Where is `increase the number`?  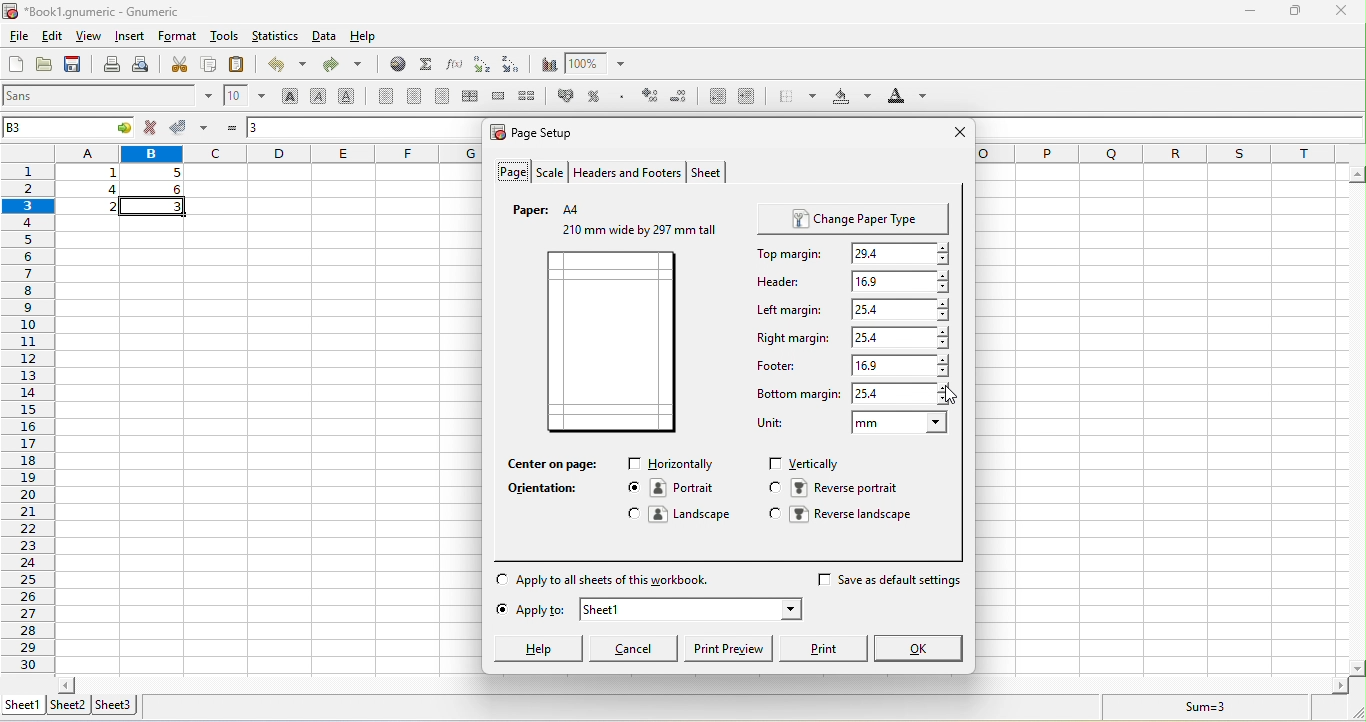 increase the number is located at coordinates (652, 98).